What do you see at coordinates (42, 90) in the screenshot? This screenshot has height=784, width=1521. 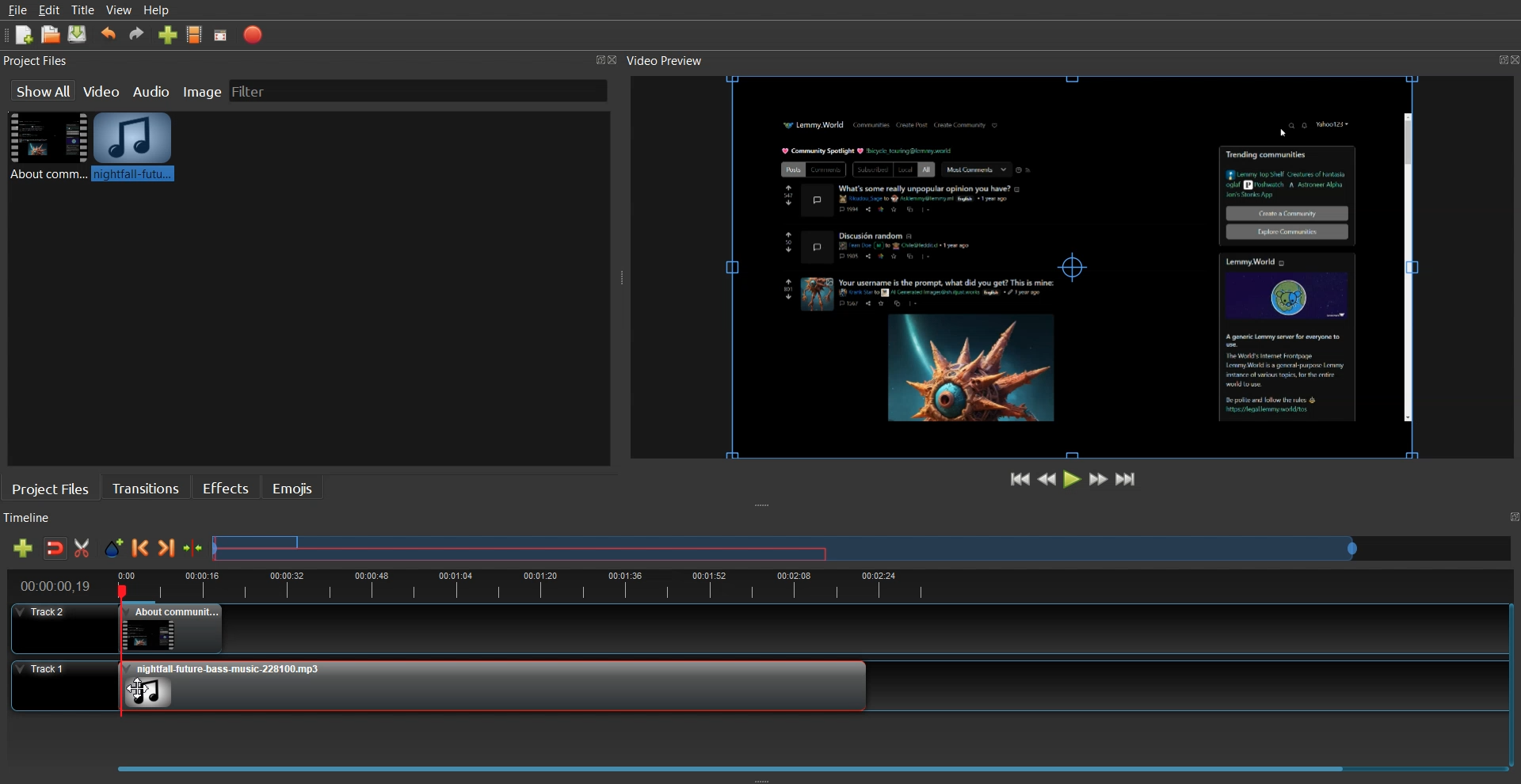 I see `Show all` at bounding box center [42, 90].